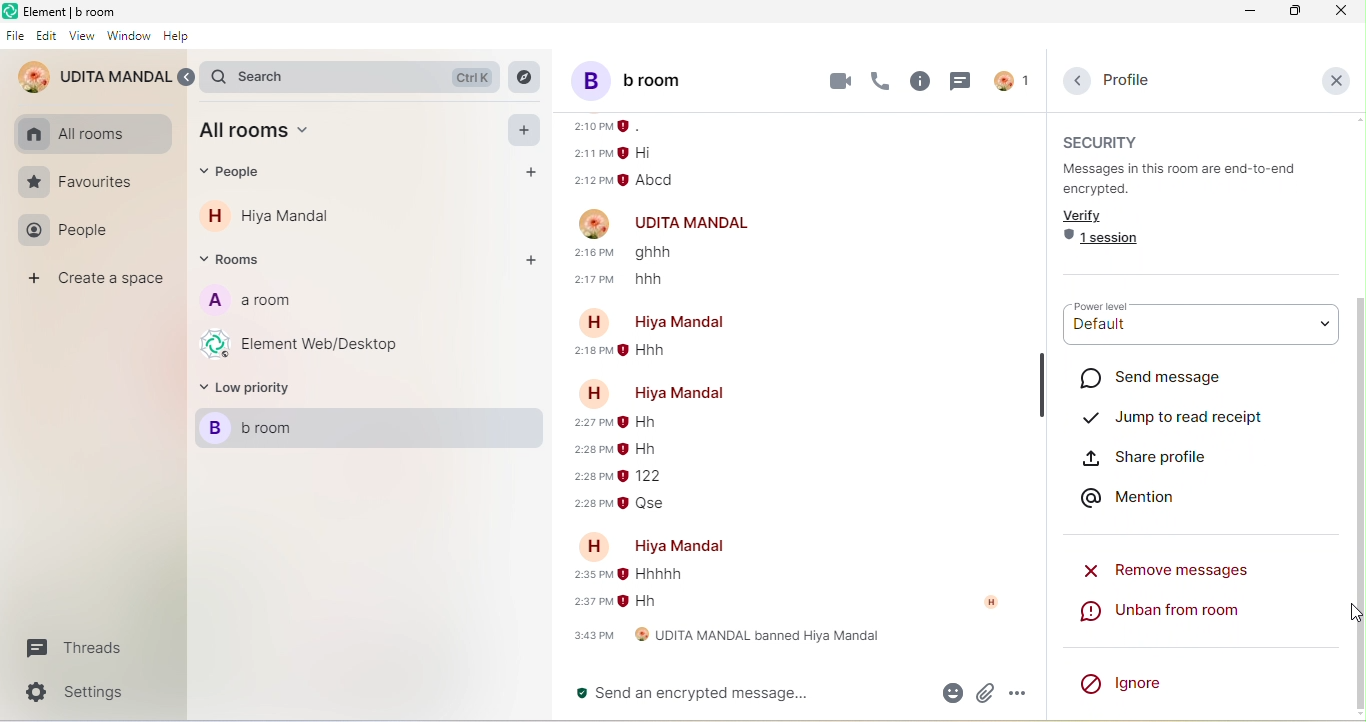 Image resolution: width=1366 pixels, height=722 pixels. What do you see at coordinates (10, 12) in the screenshot?
I see `element logo` at bounding box center [10, 12].